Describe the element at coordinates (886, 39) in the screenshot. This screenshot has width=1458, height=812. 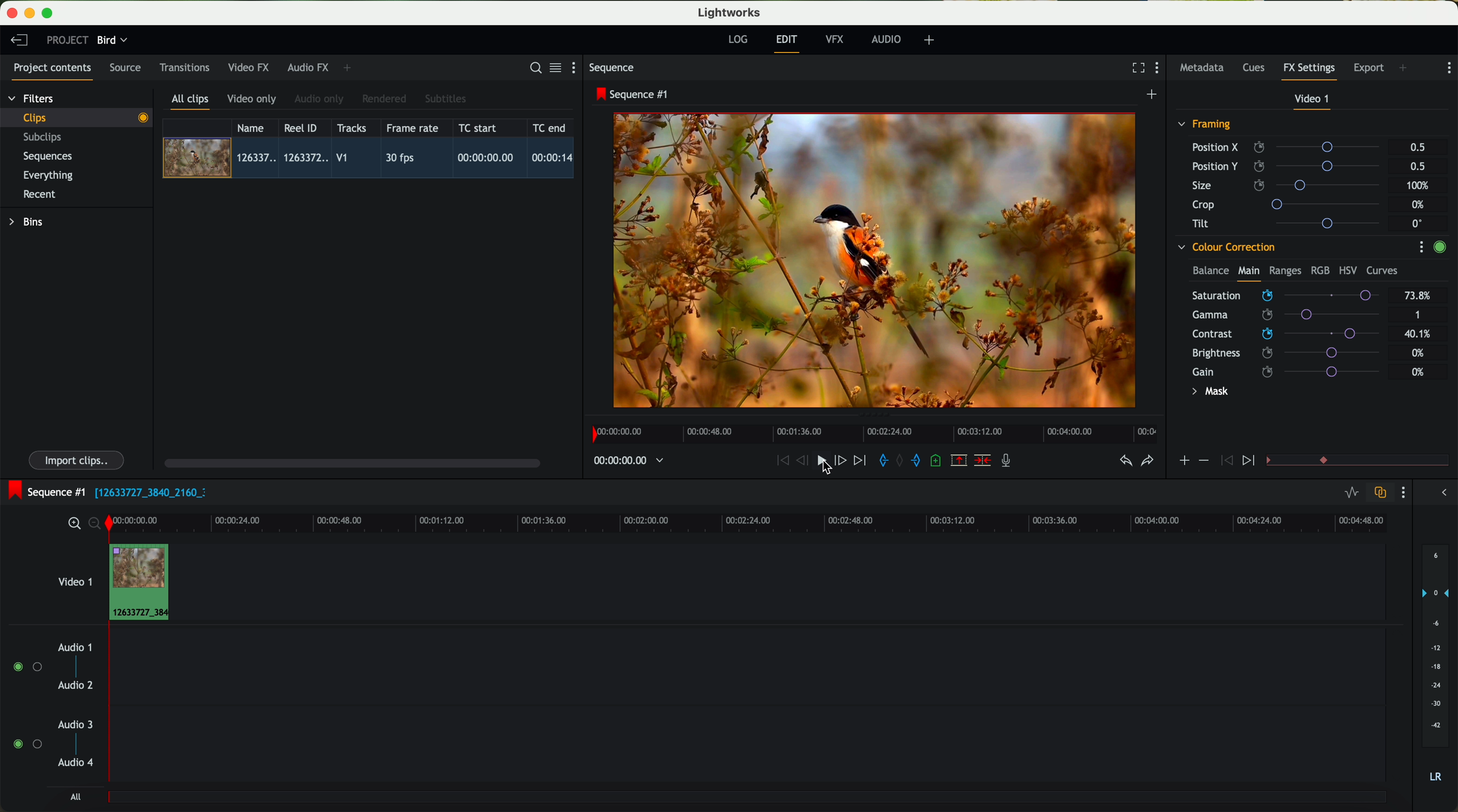
I see `audio` at that location.